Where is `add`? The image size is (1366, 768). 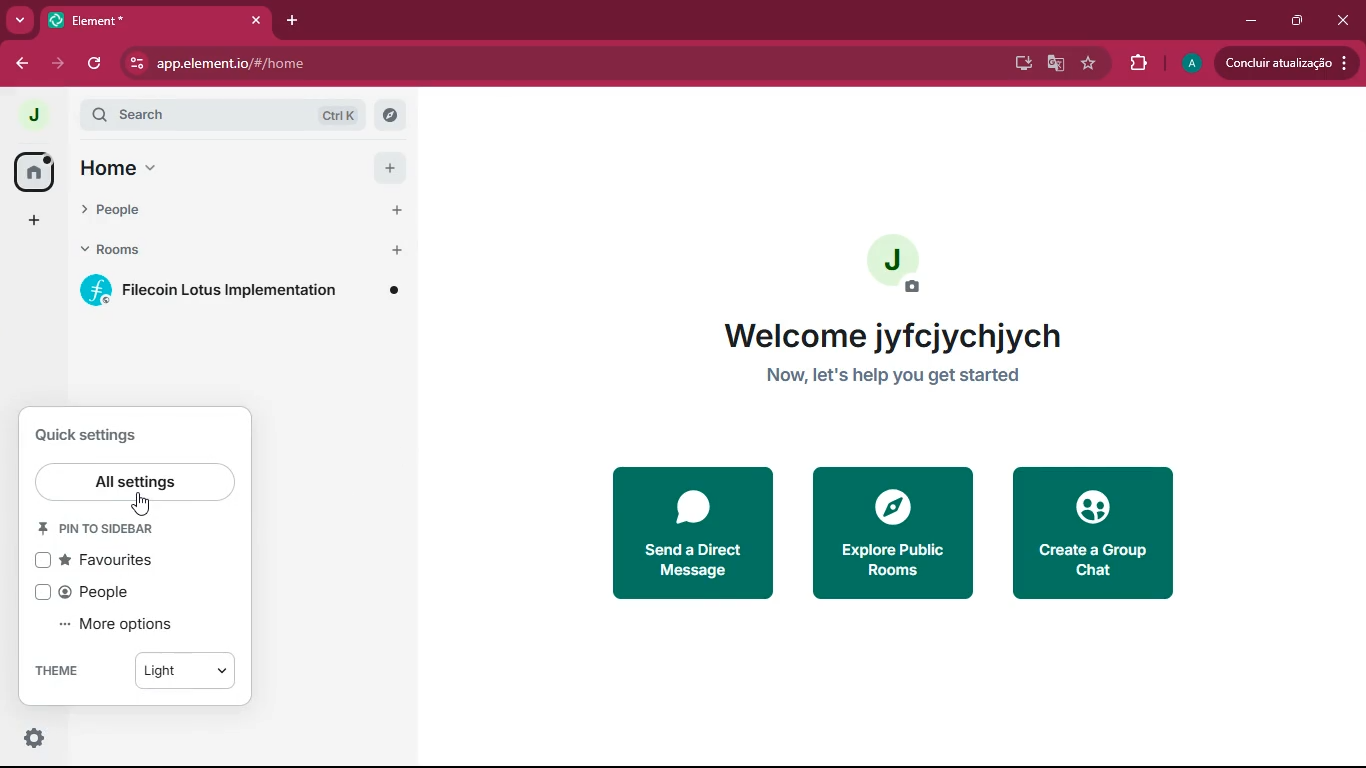
add is located at coordinates (396, 209).